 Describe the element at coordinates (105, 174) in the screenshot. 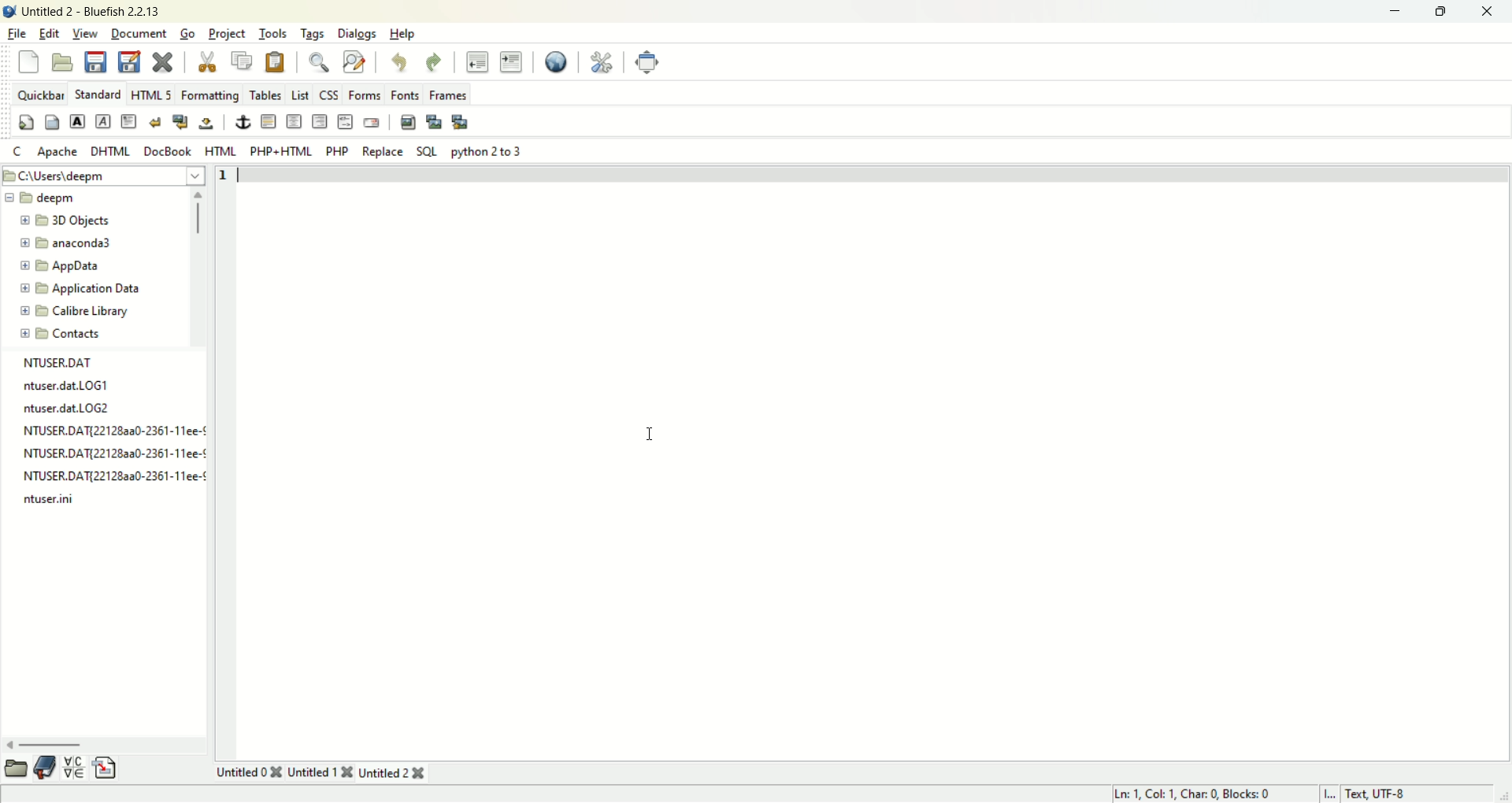

I see `location` at that location.